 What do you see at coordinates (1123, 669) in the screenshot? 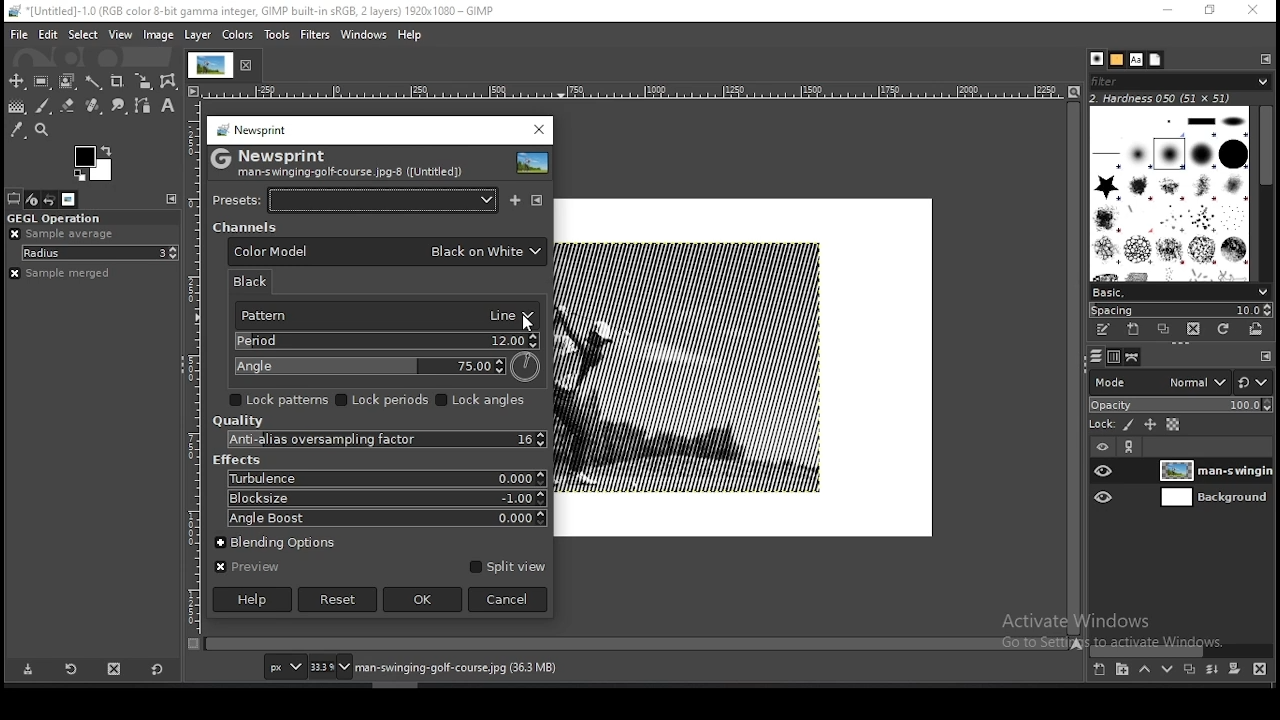
I see `create a new layer group` at bounding box center [1123, 669].